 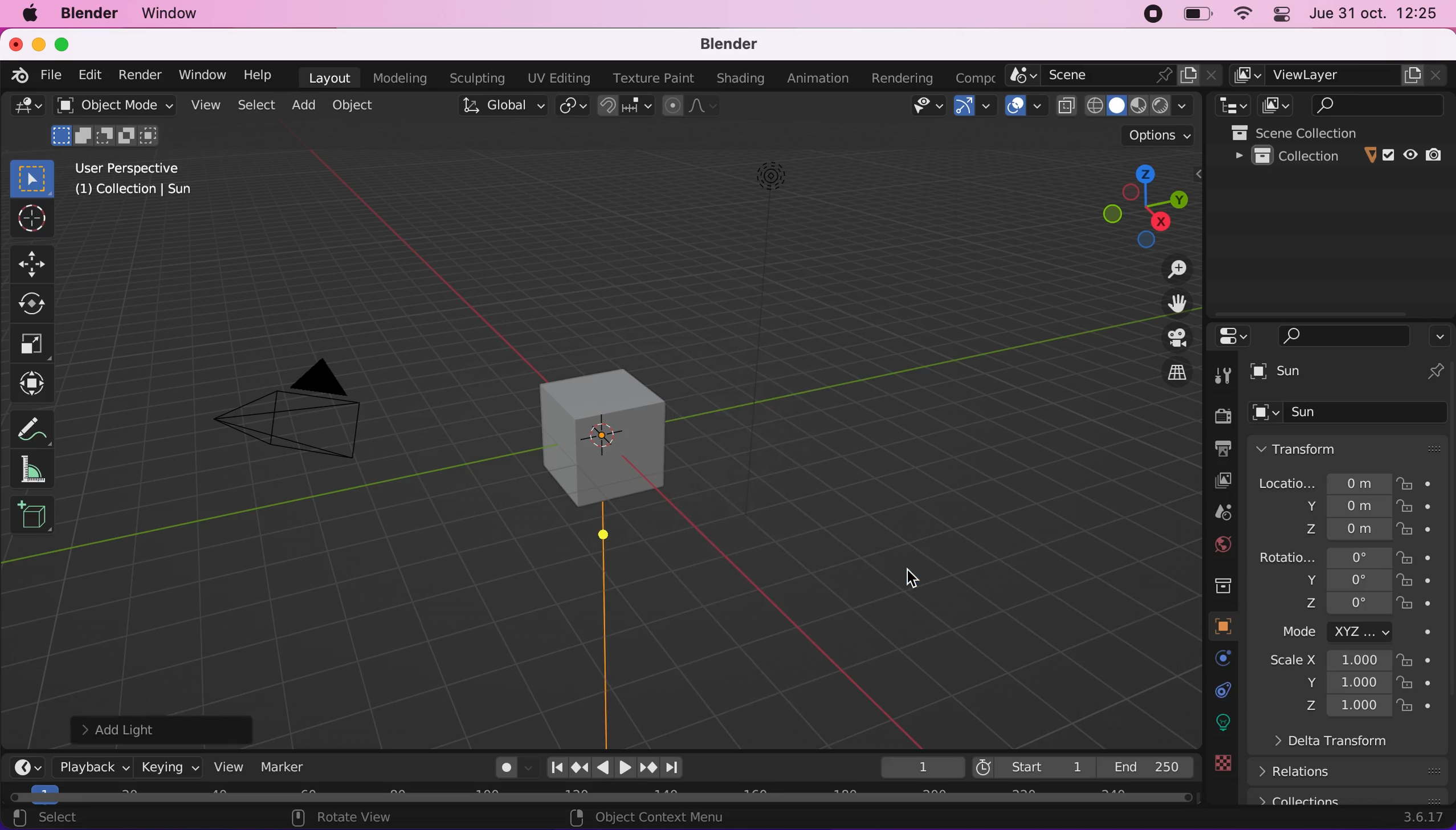 I want to click on window, so click(x=177, y=14).